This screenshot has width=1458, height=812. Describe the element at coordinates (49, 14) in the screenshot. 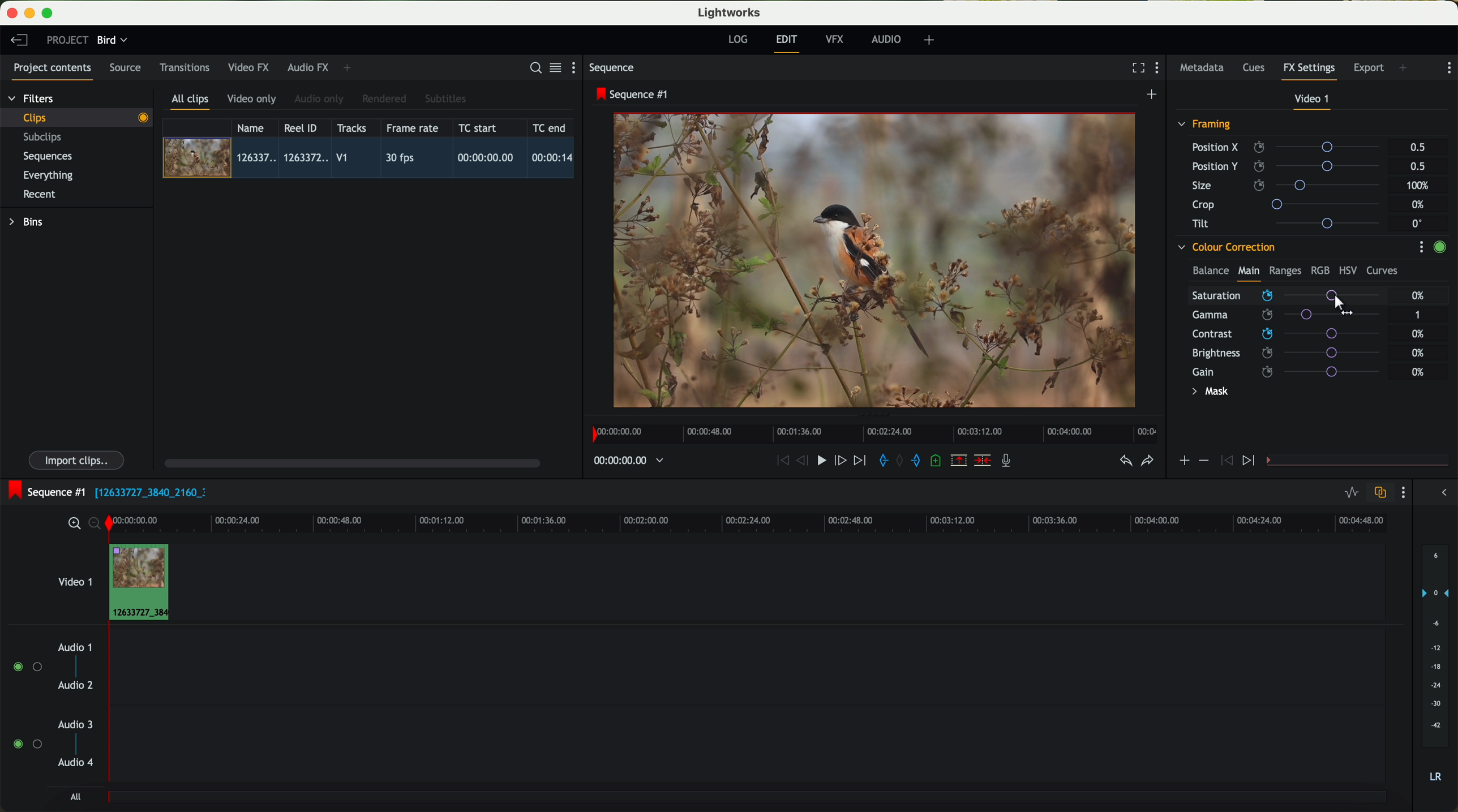

I see `maximize program` at that location.